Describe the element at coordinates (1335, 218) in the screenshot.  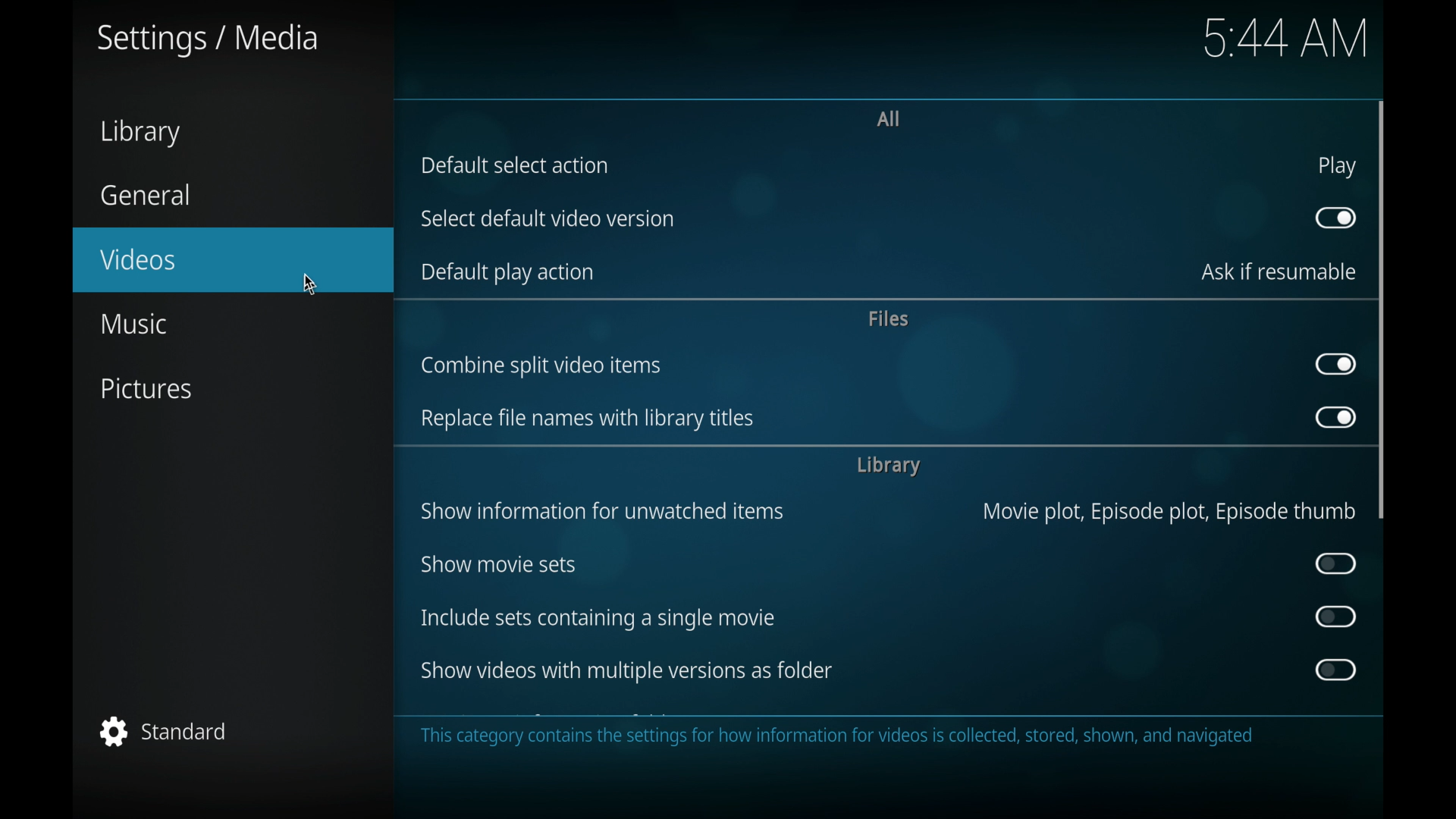
I see `toggle  button` at that location.